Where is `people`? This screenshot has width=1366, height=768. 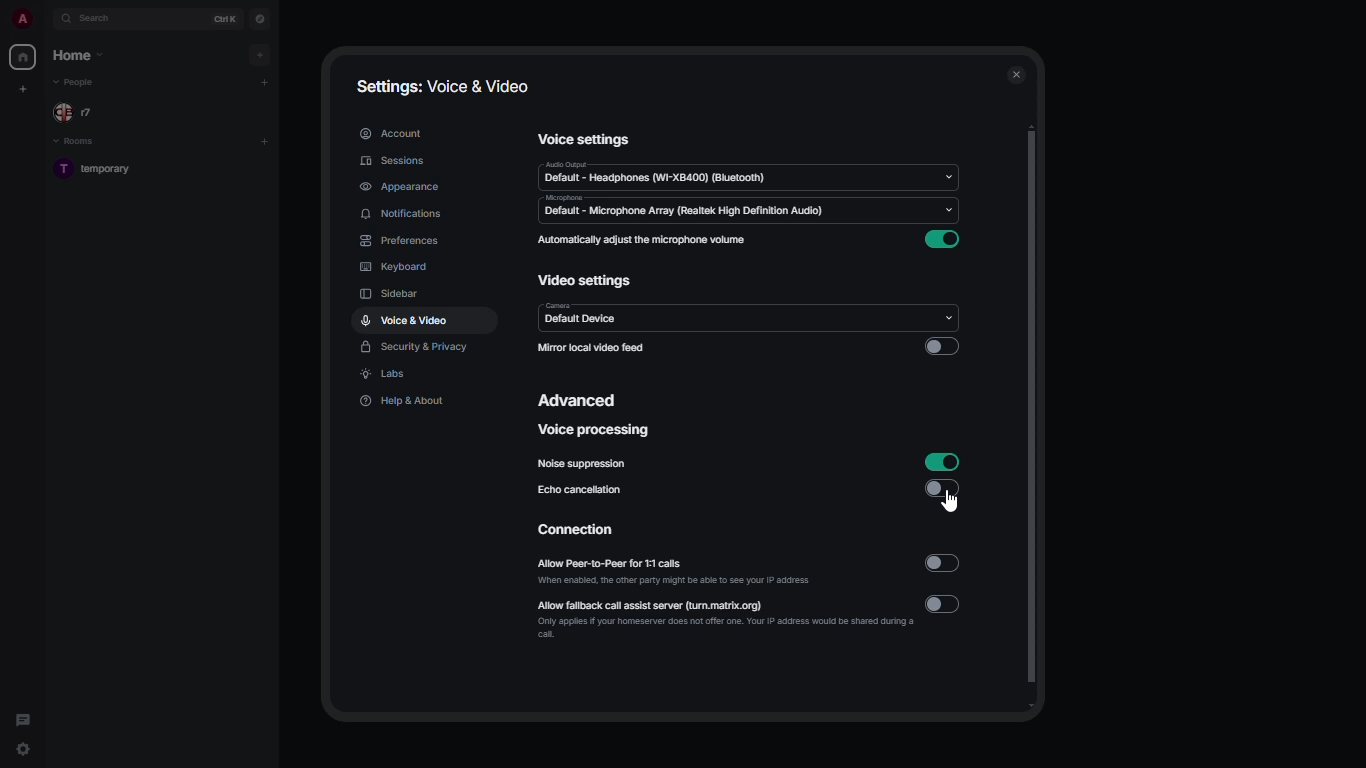 people is located at coordinates (77, 113).